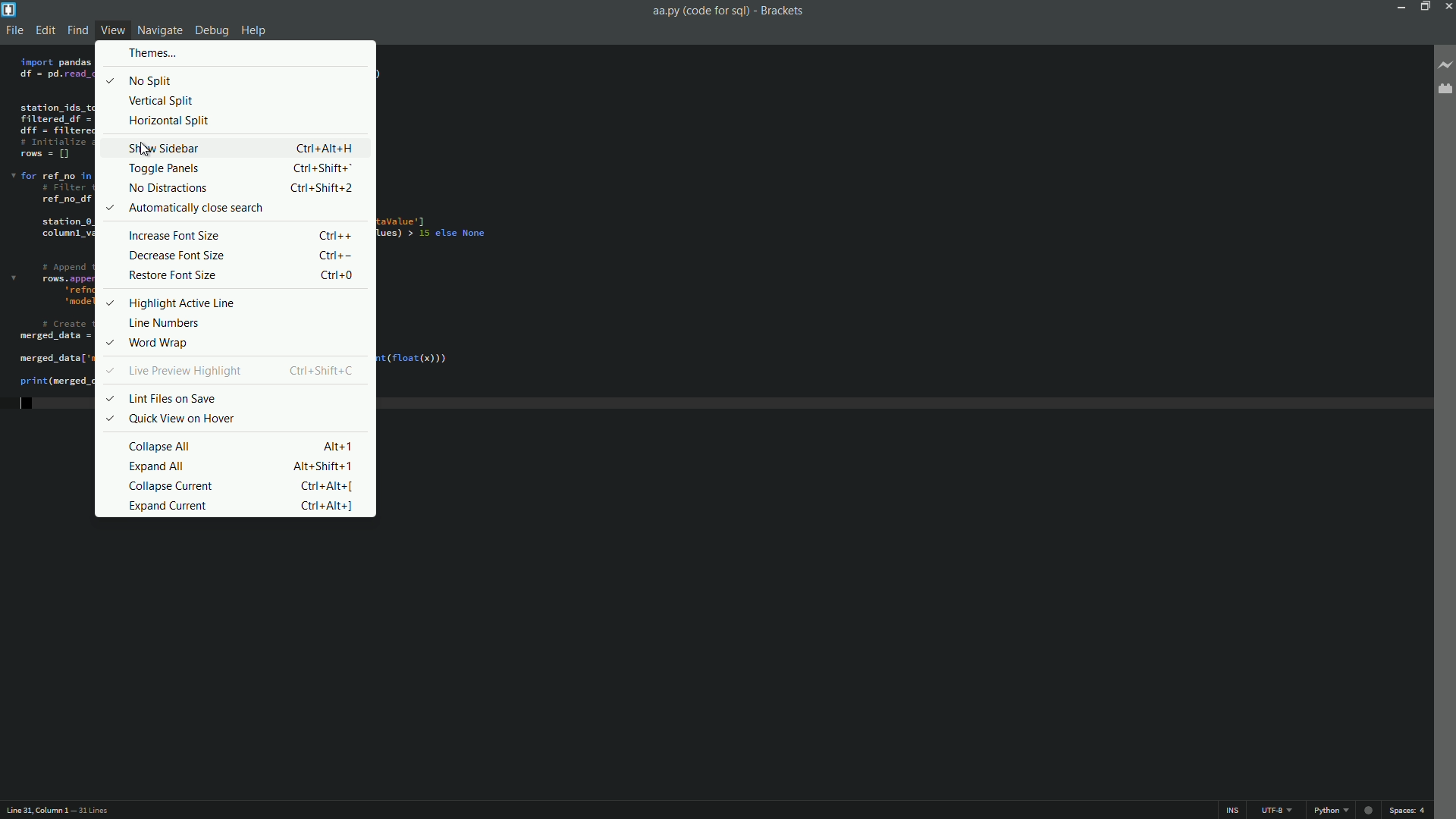  I want to click on navigate menu, so click(160, 31).